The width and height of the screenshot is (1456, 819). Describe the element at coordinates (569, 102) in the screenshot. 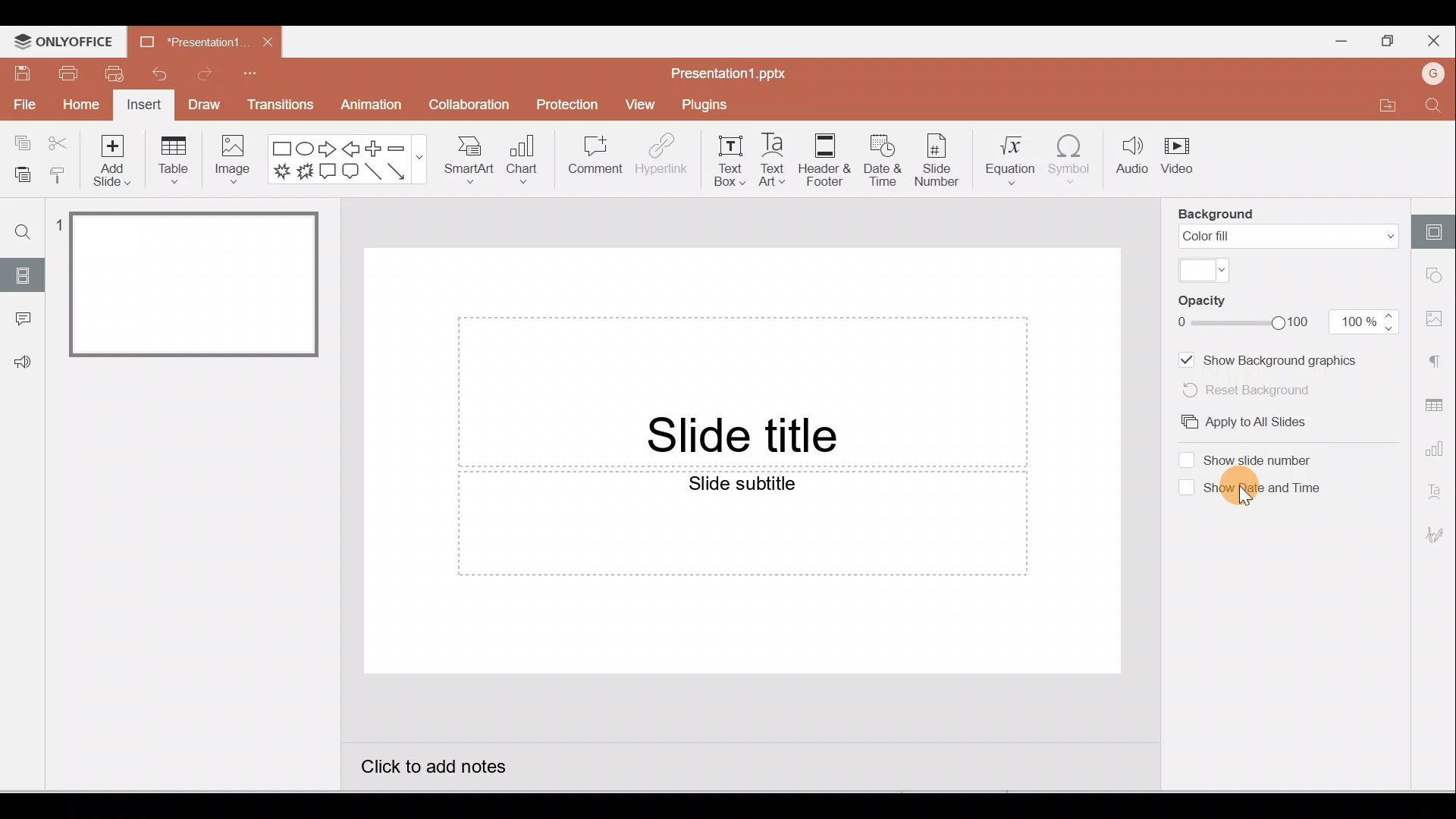

I see `Protection` at that location.